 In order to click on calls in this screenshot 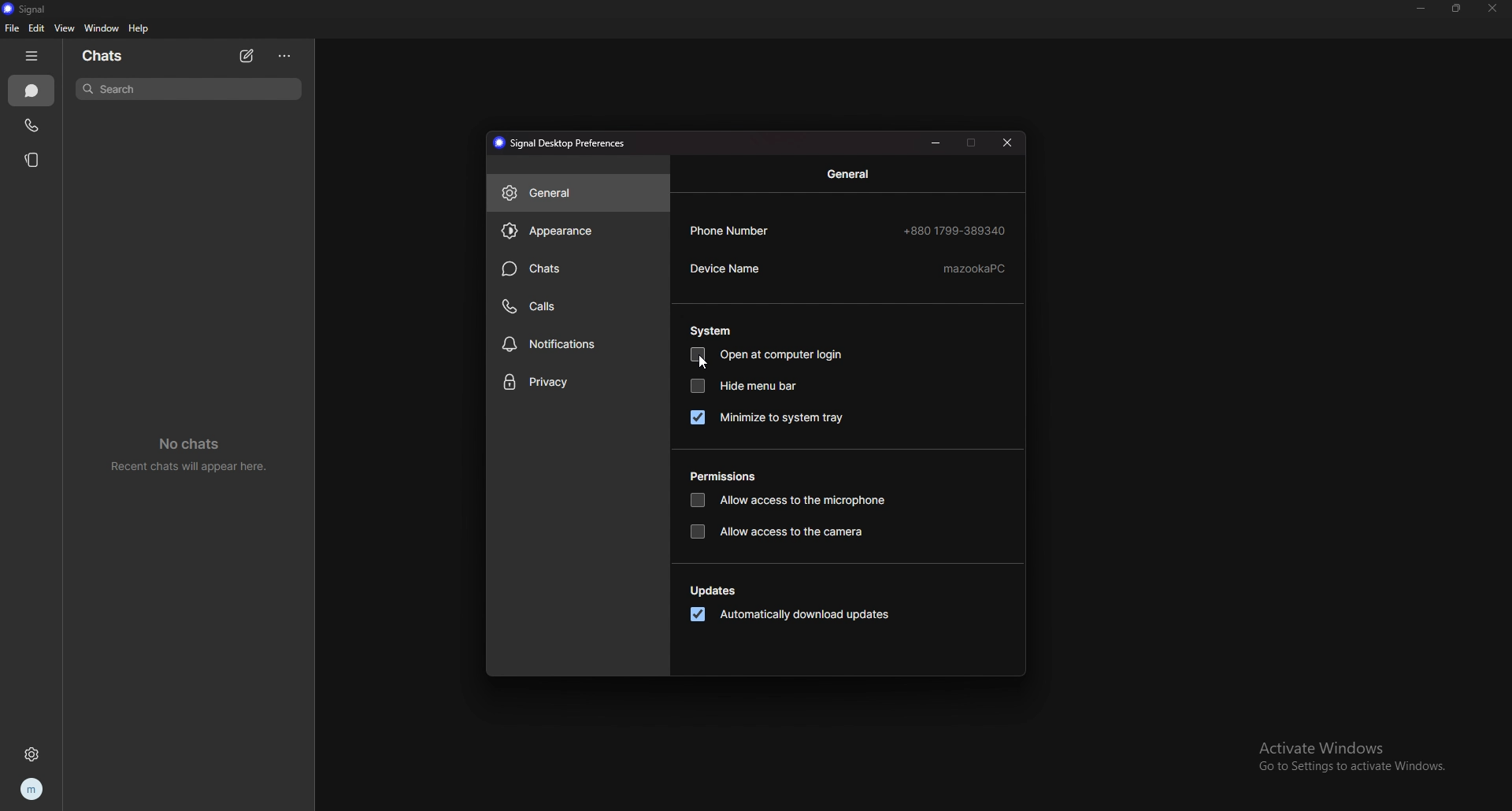, I will do `click(580, 305)`.